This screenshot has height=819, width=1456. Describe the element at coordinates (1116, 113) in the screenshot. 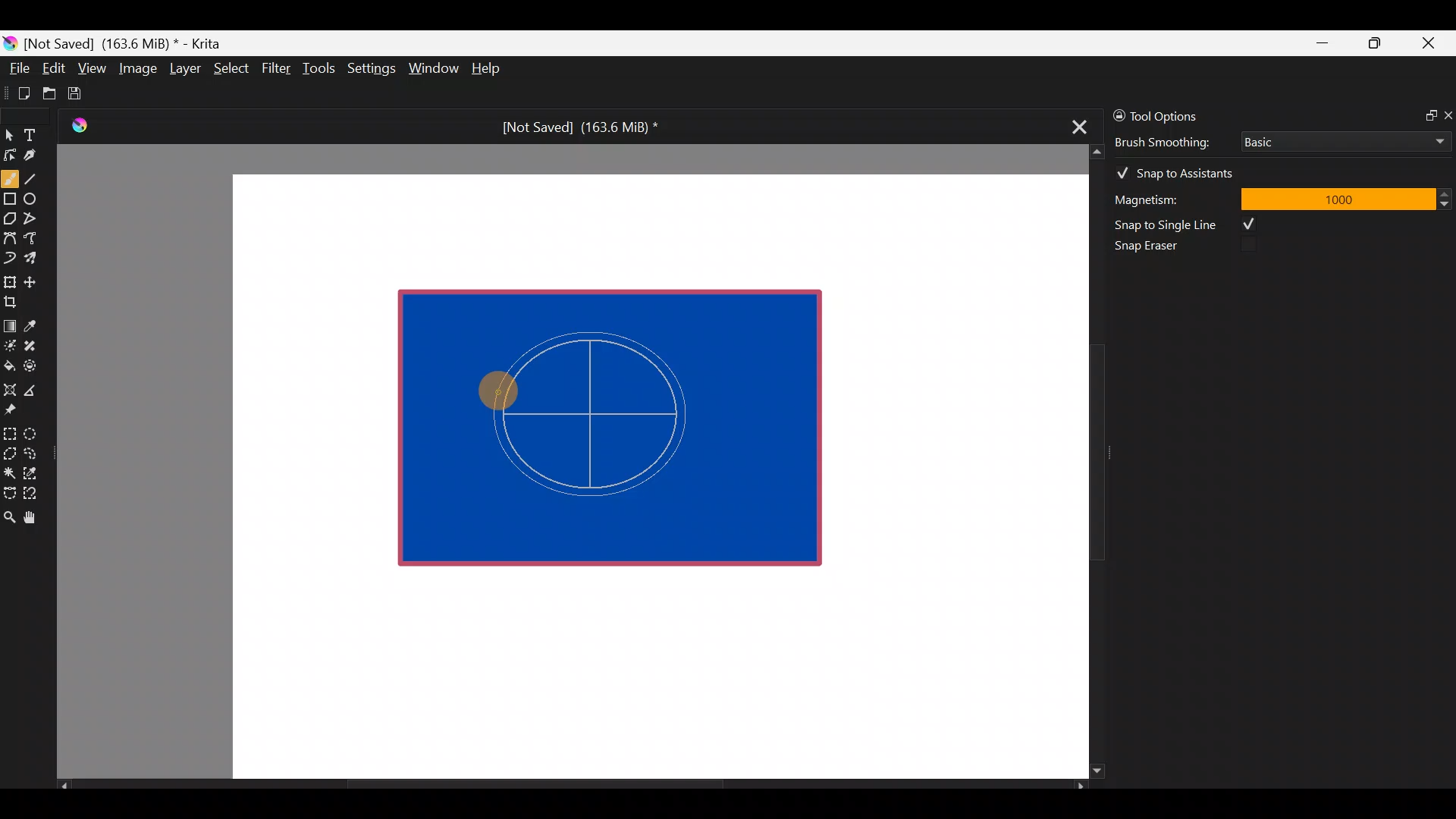

I see `Lock/unlock docker` at that location.